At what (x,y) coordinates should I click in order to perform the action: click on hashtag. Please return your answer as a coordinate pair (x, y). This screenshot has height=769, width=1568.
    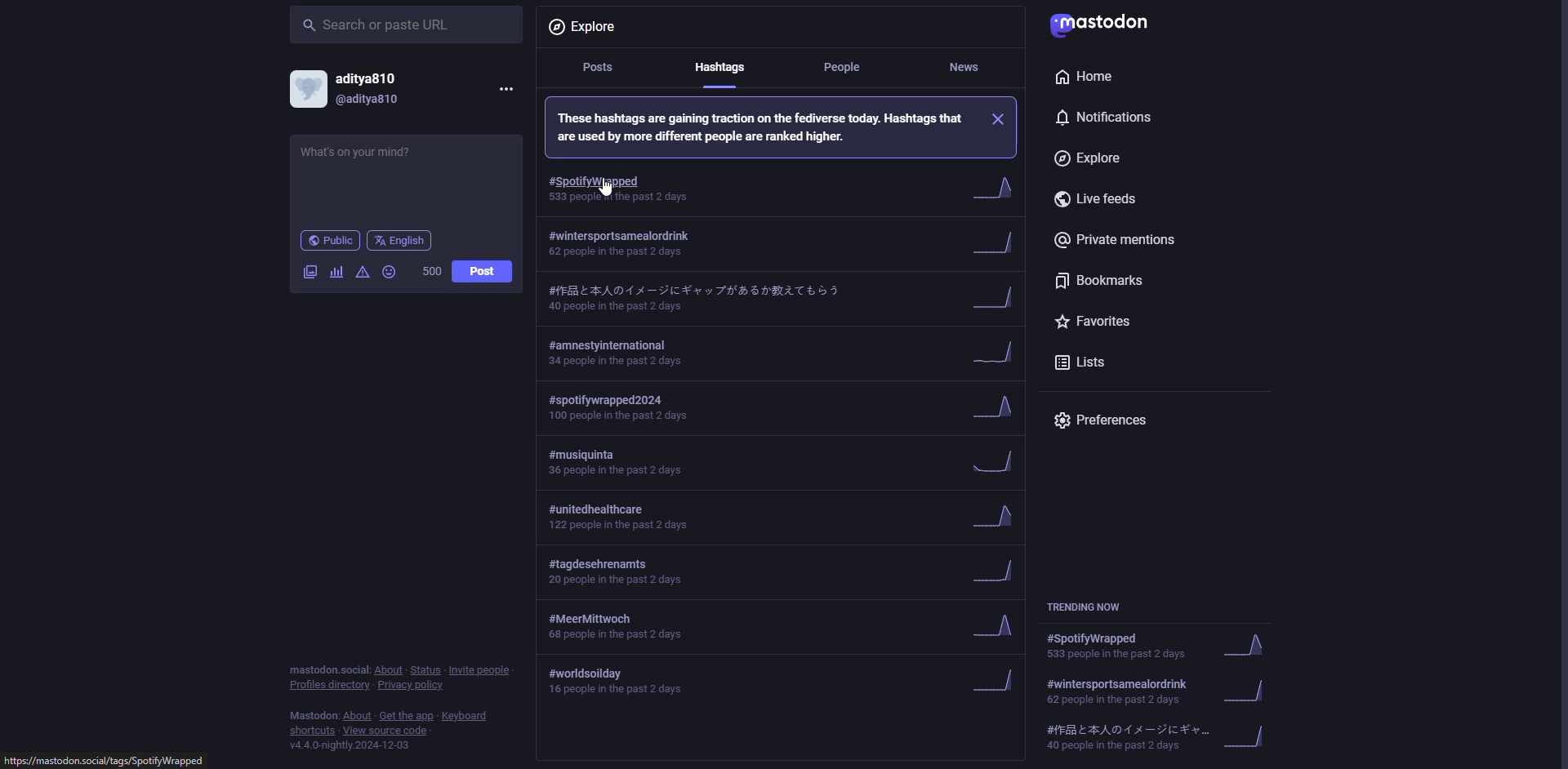
    Looking at the image, I should click on (632, 246).